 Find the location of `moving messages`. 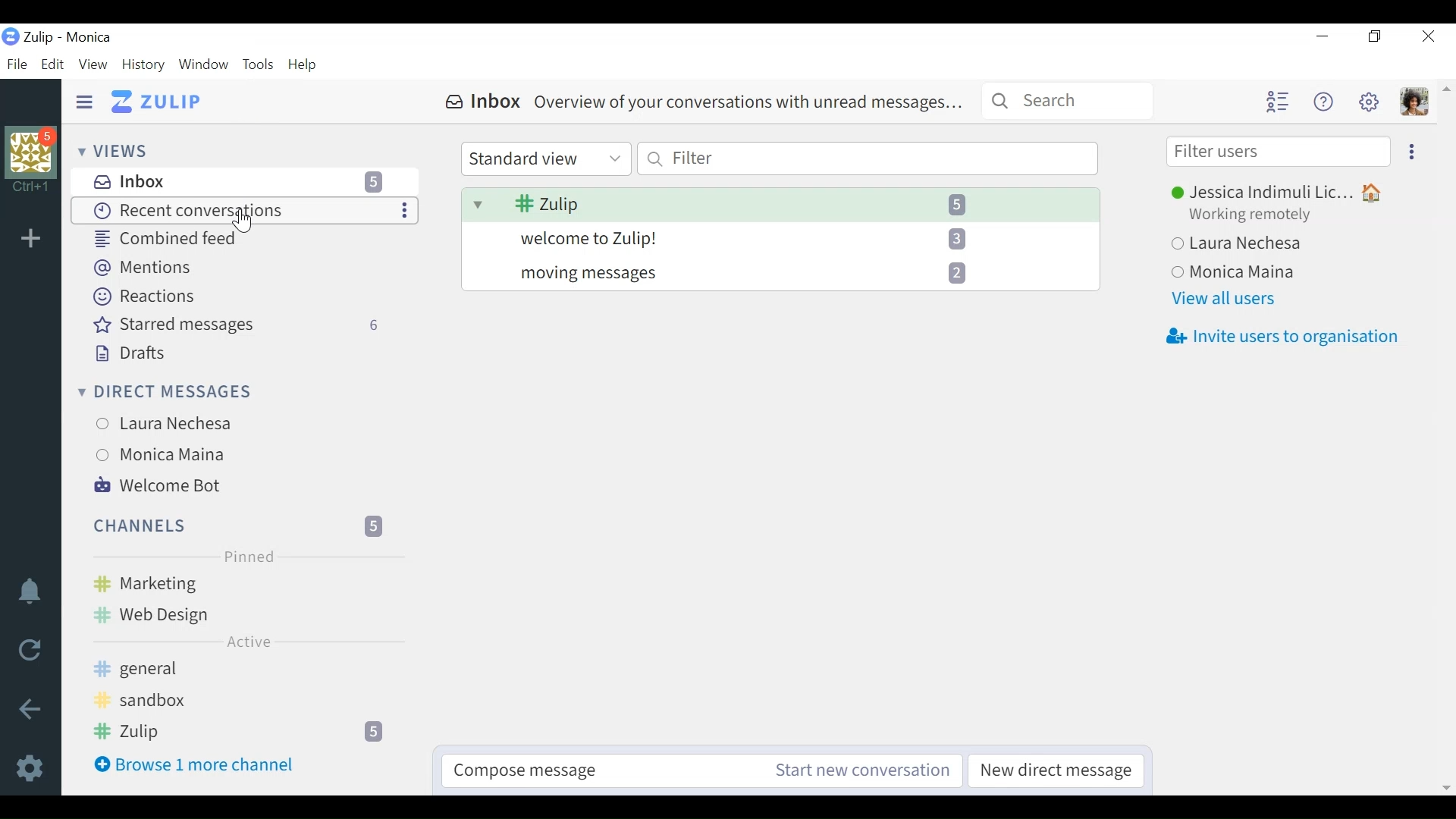

moving messages is located at coordinates (780, 275).